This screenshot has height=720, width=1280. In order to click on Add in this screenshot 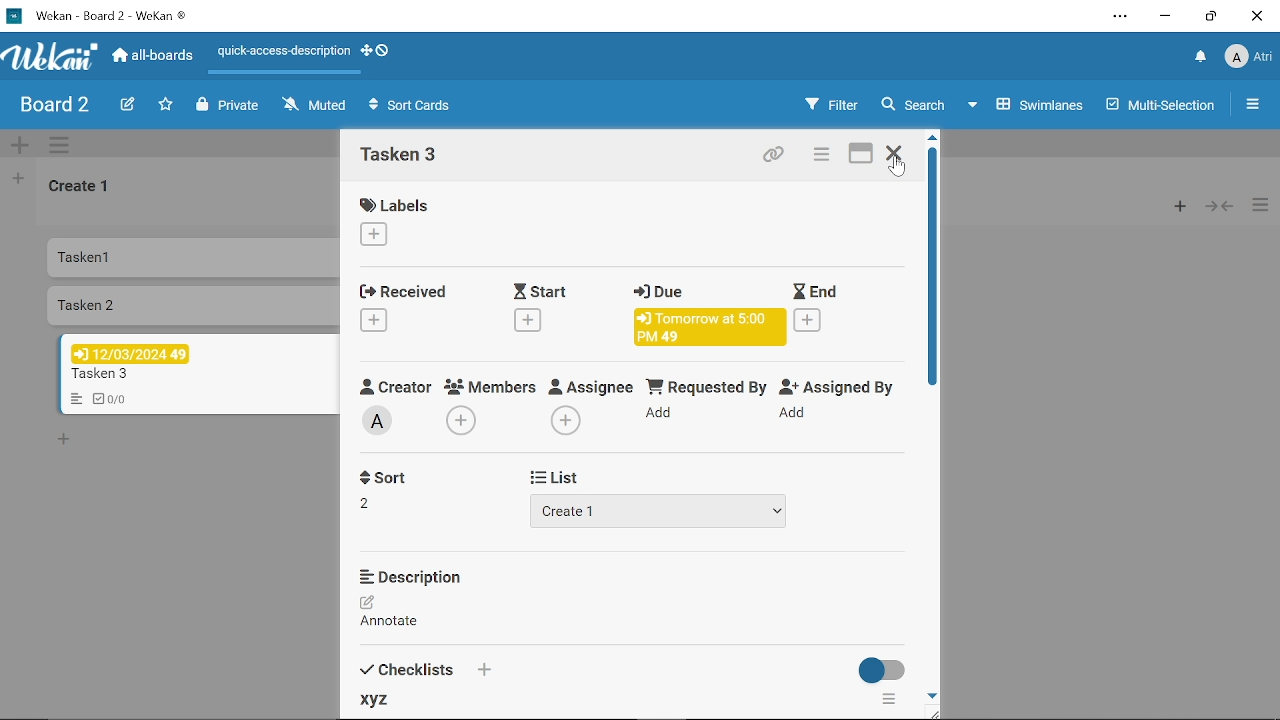, I will do `click(16, 178)`.